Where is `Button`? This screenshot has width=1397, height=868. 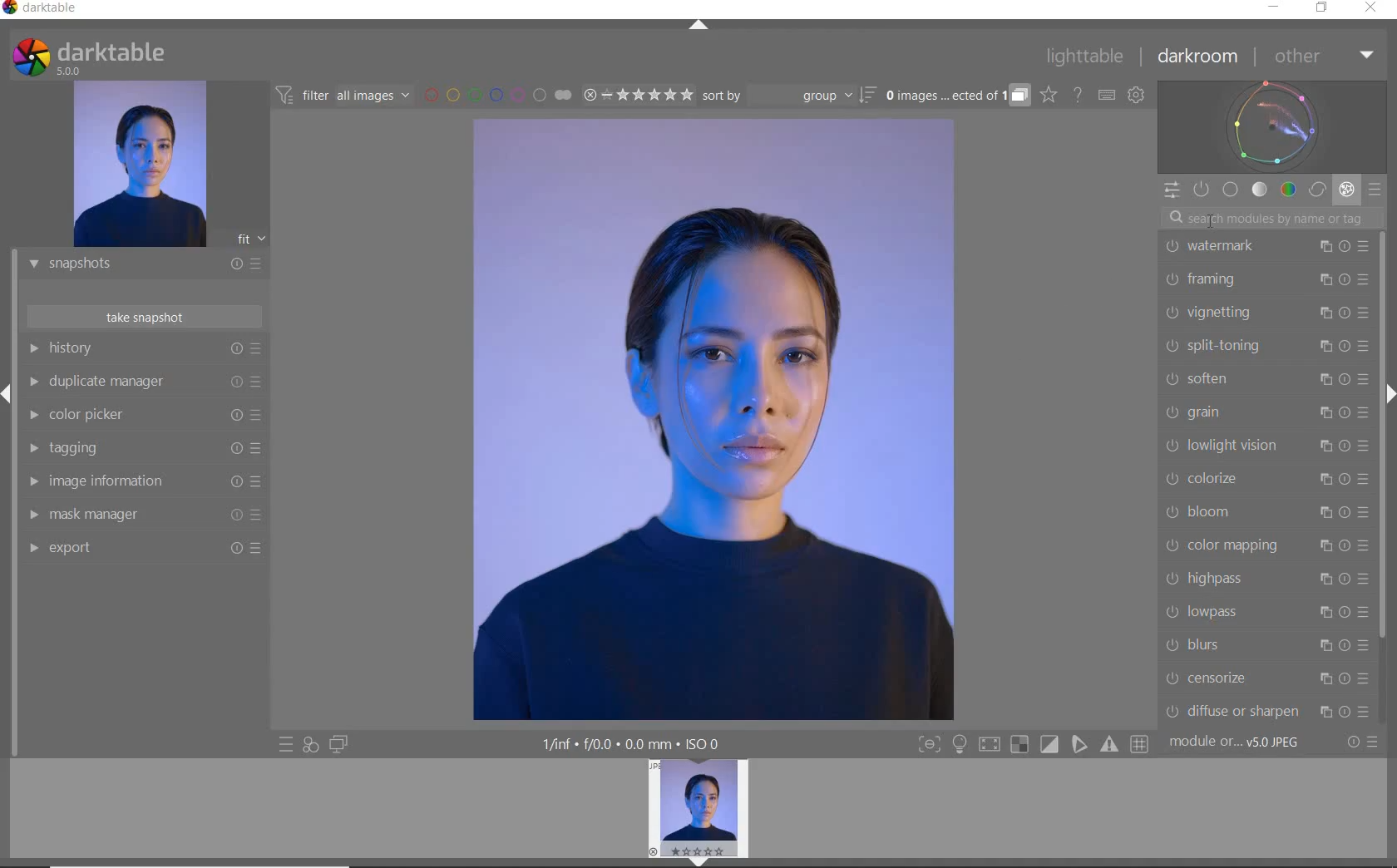
Button is located at coordinates (1050, 745).